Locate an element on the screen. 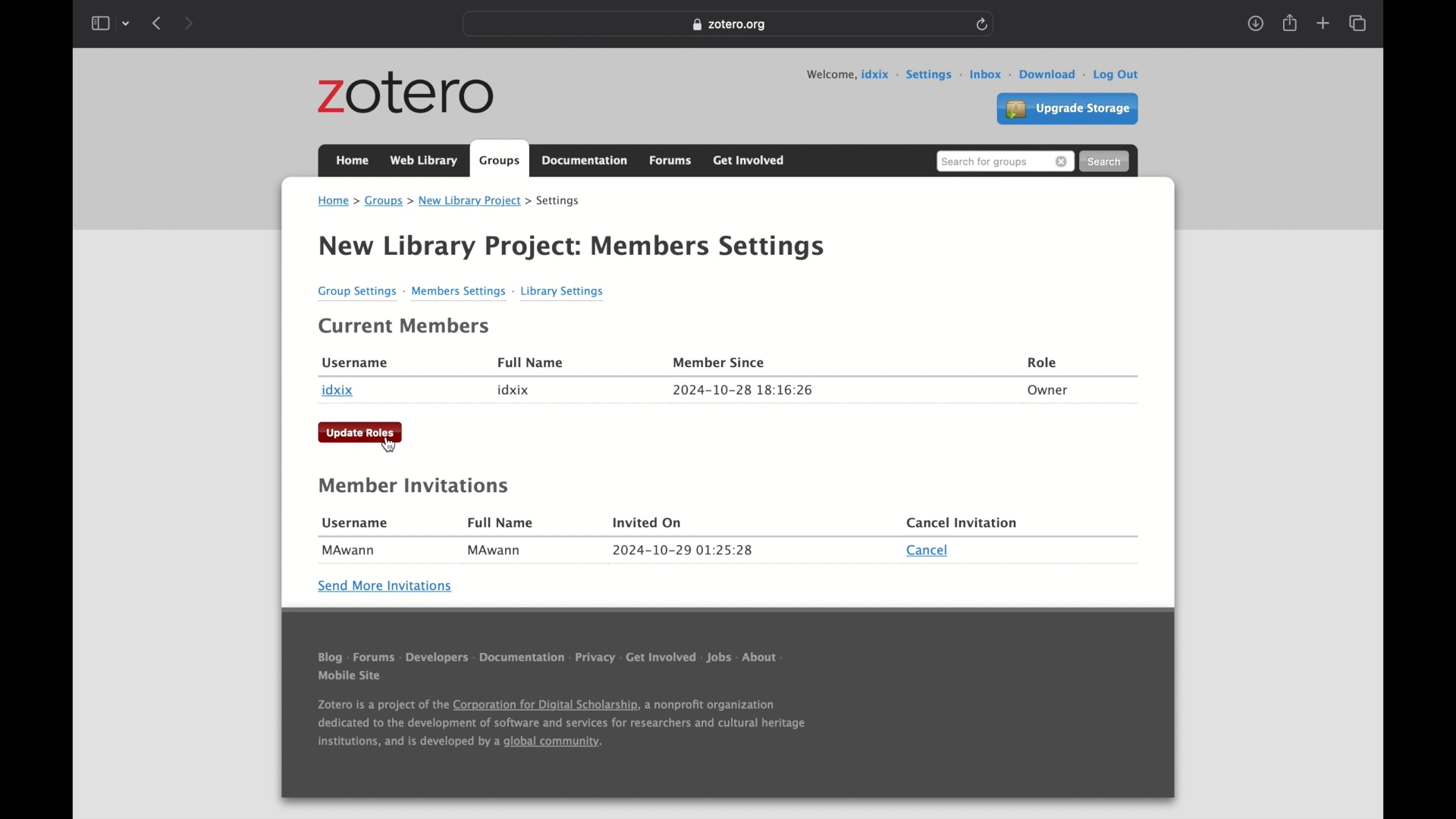 Image resolution: width=1456 pixels, height=819 pixels. show next page is located at coordinates (188, 23).